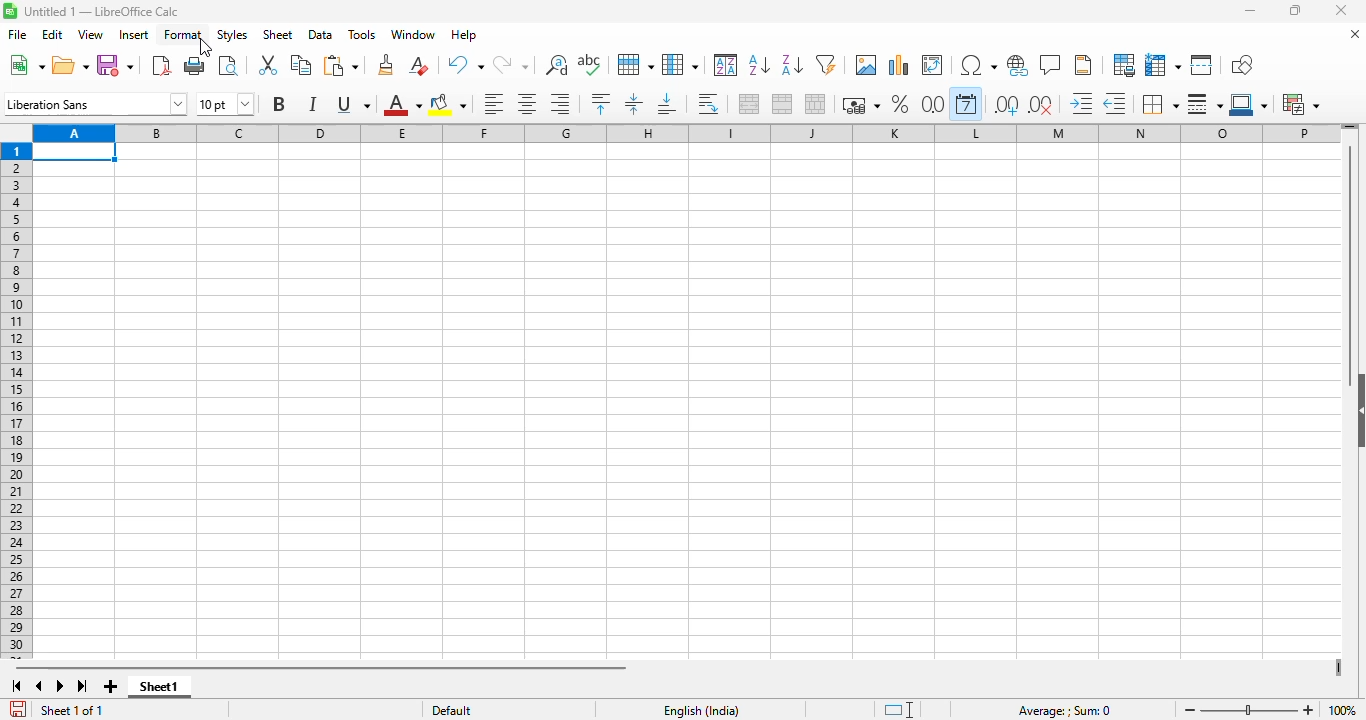  Describe the element at coordinates (667, 104) in the screenshot. I see `align bottom` at that location.